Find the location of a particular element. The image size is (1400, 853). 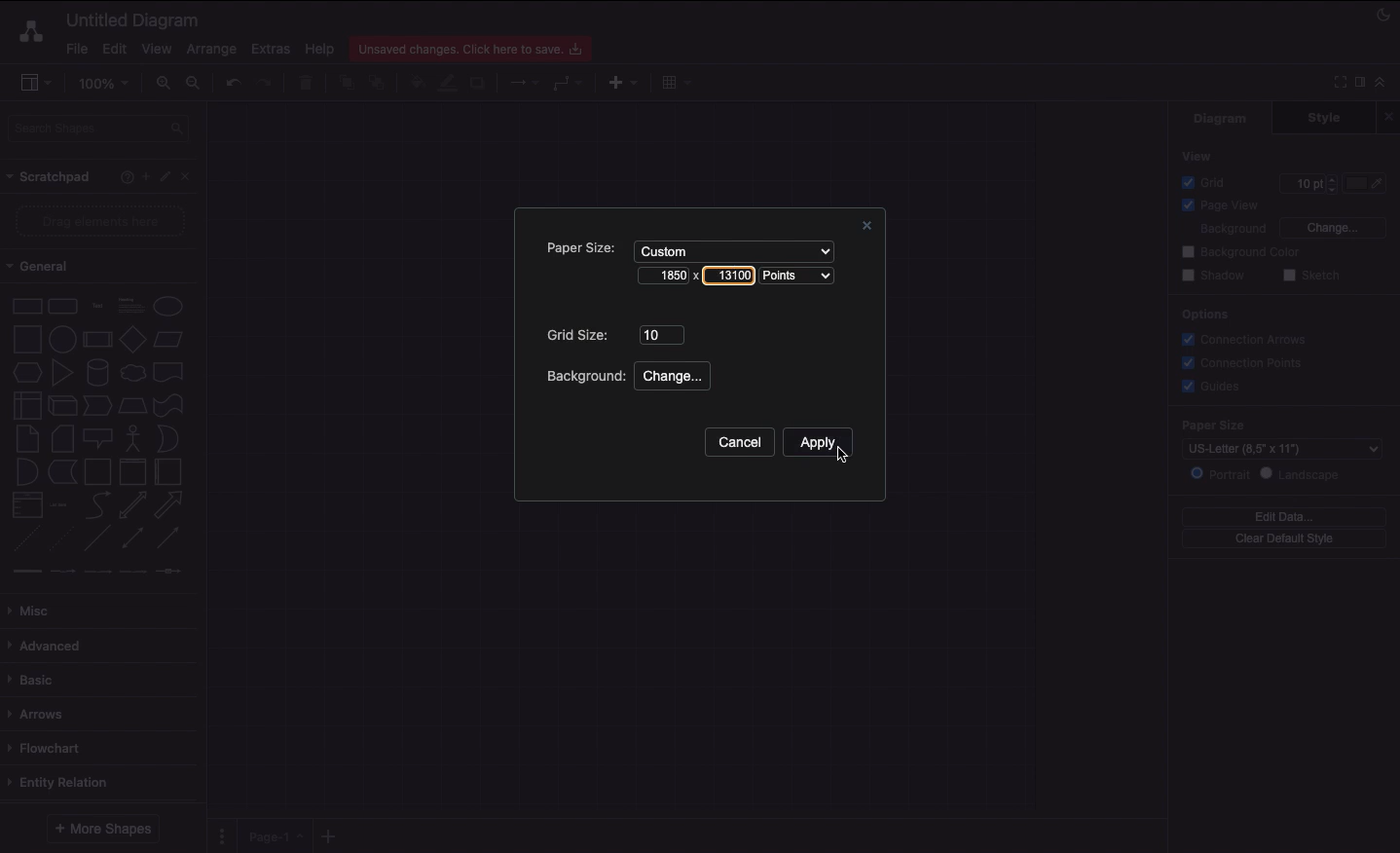

Format is located at coordinates (1361, 85).